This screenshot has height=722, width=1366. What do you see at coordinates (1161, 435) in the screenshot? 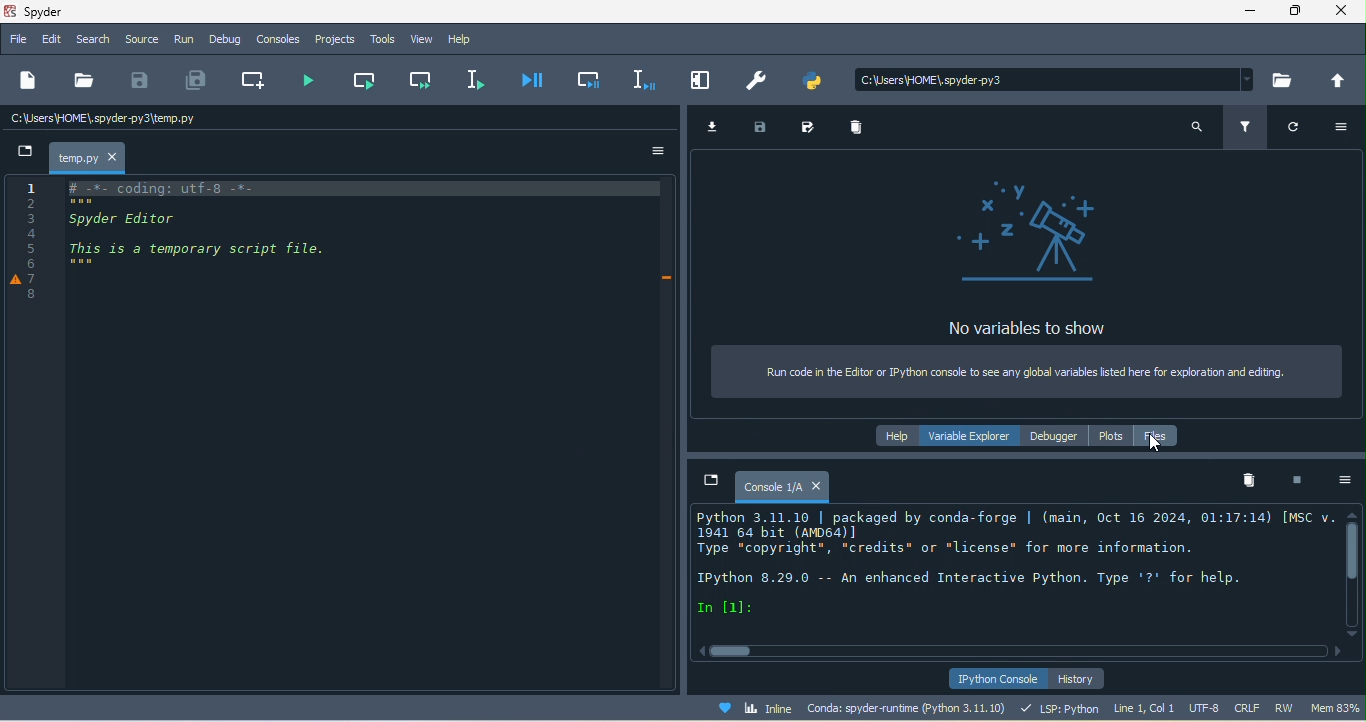
I see `file` at bounding box center [1161, 435].